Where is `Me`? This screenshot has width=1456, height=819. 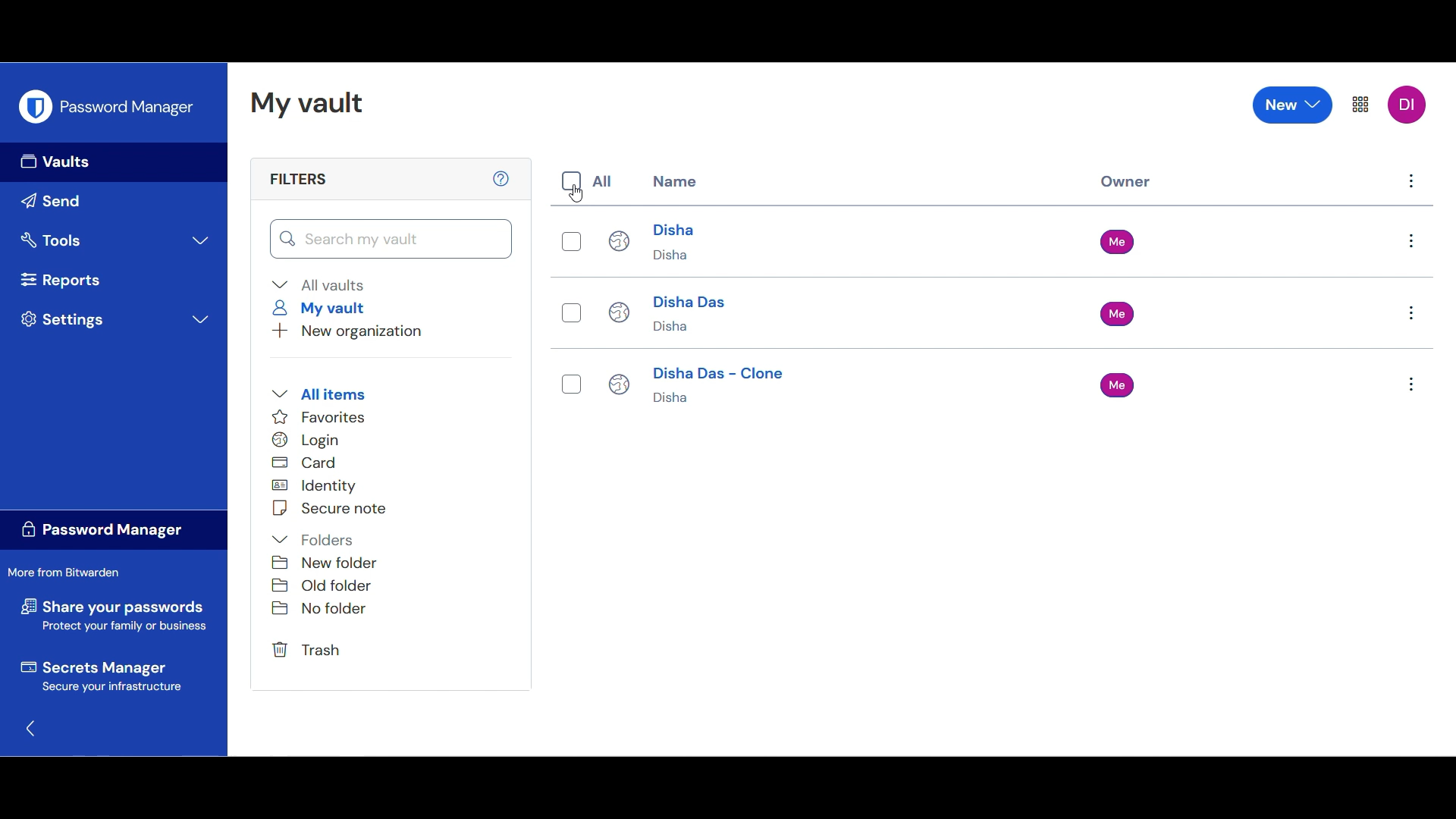 Me is located at coordinates (1118, 384).